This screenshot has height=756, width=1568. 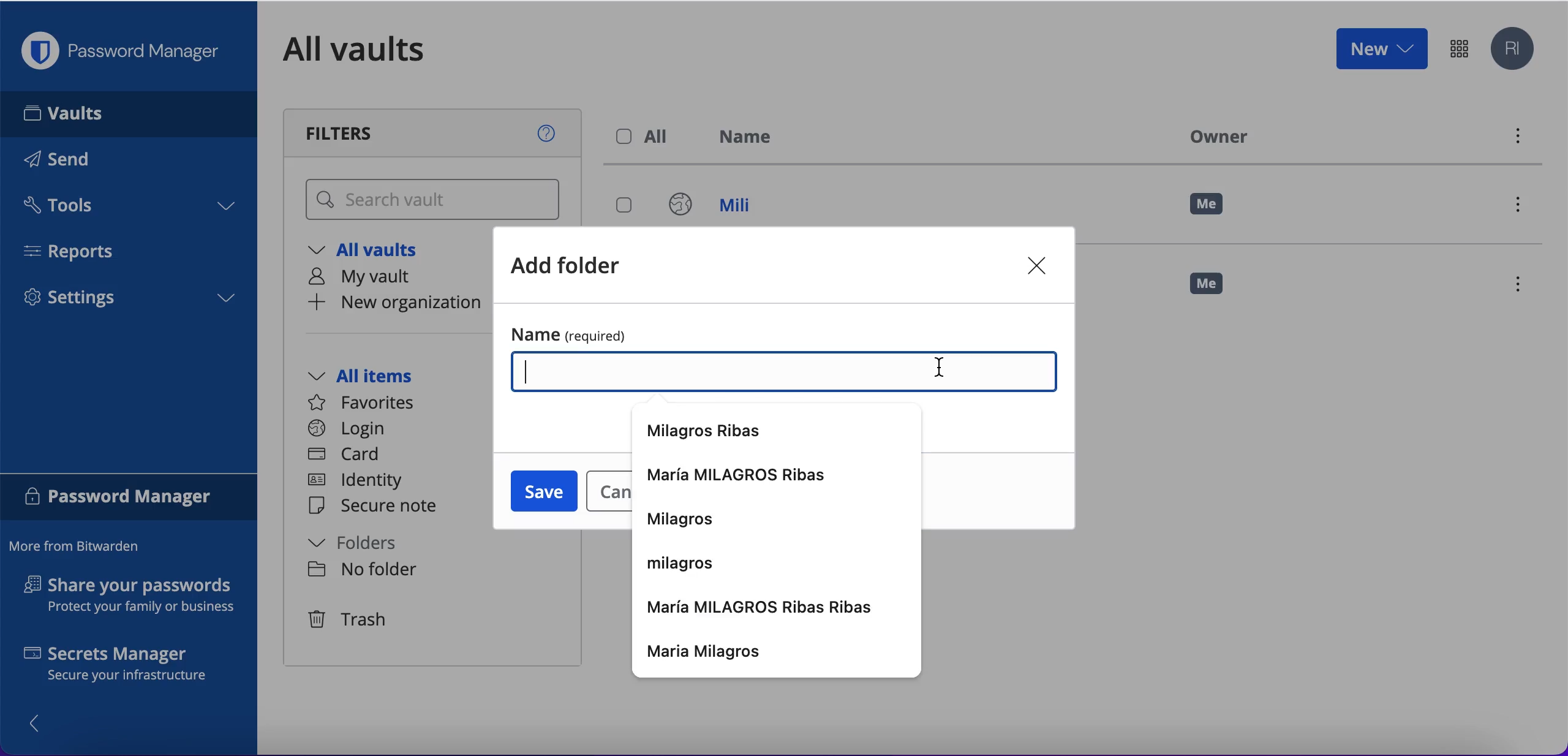 What do you see at coordinates (1040, 267) in the screenshot?
I see `close` at bounding box center [1040, 267].